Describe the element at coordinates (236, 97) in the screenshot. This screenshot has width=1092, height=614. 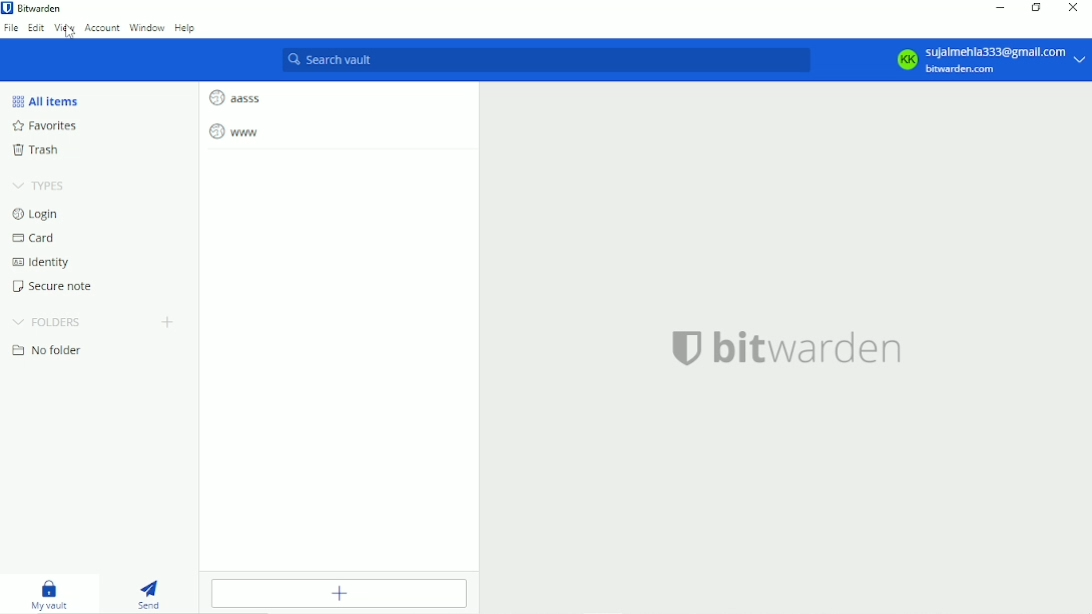
I see `aasss` at that location.